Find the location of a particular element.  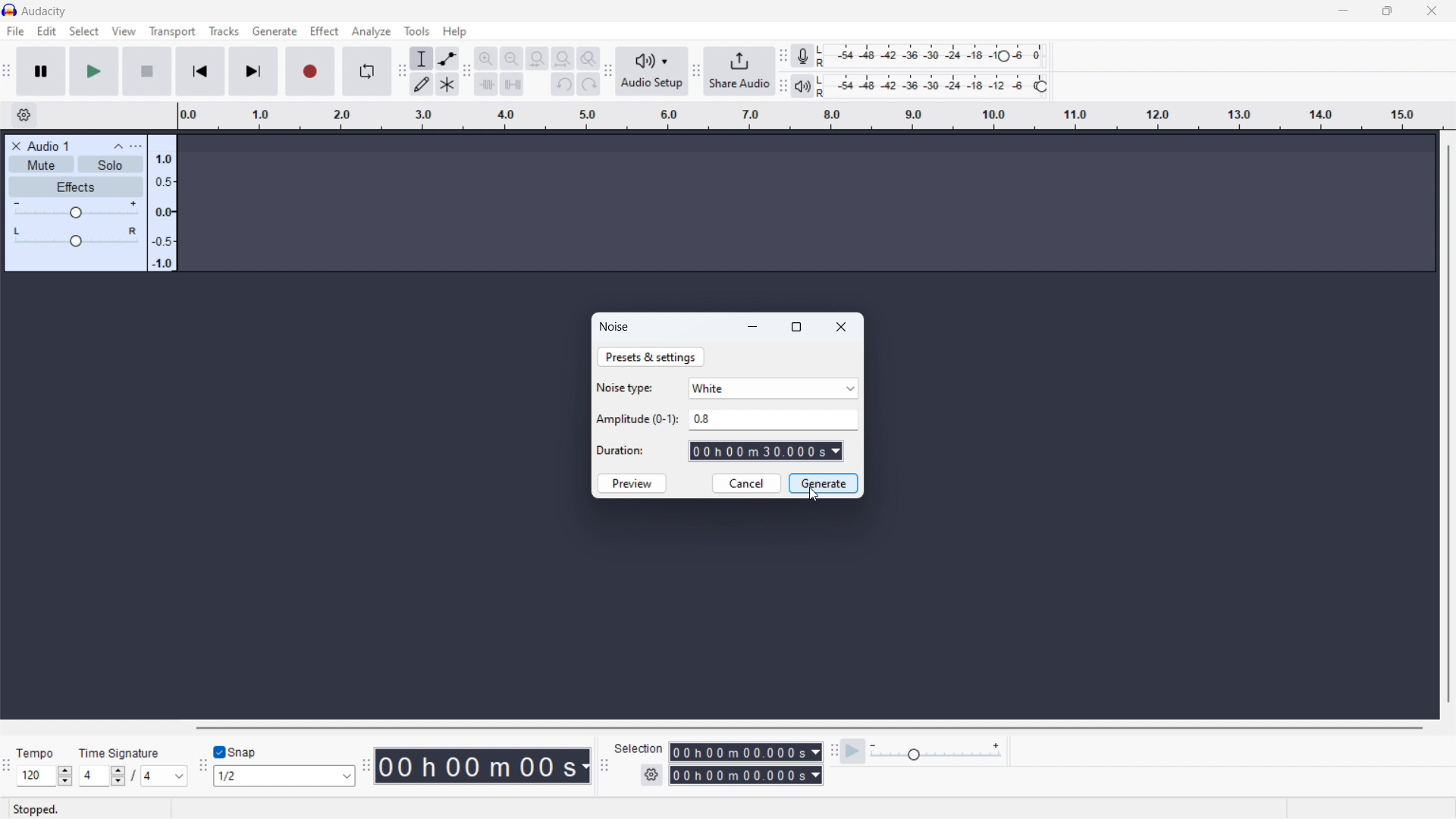

noise dialogbox is located at coordinates (616, 328).